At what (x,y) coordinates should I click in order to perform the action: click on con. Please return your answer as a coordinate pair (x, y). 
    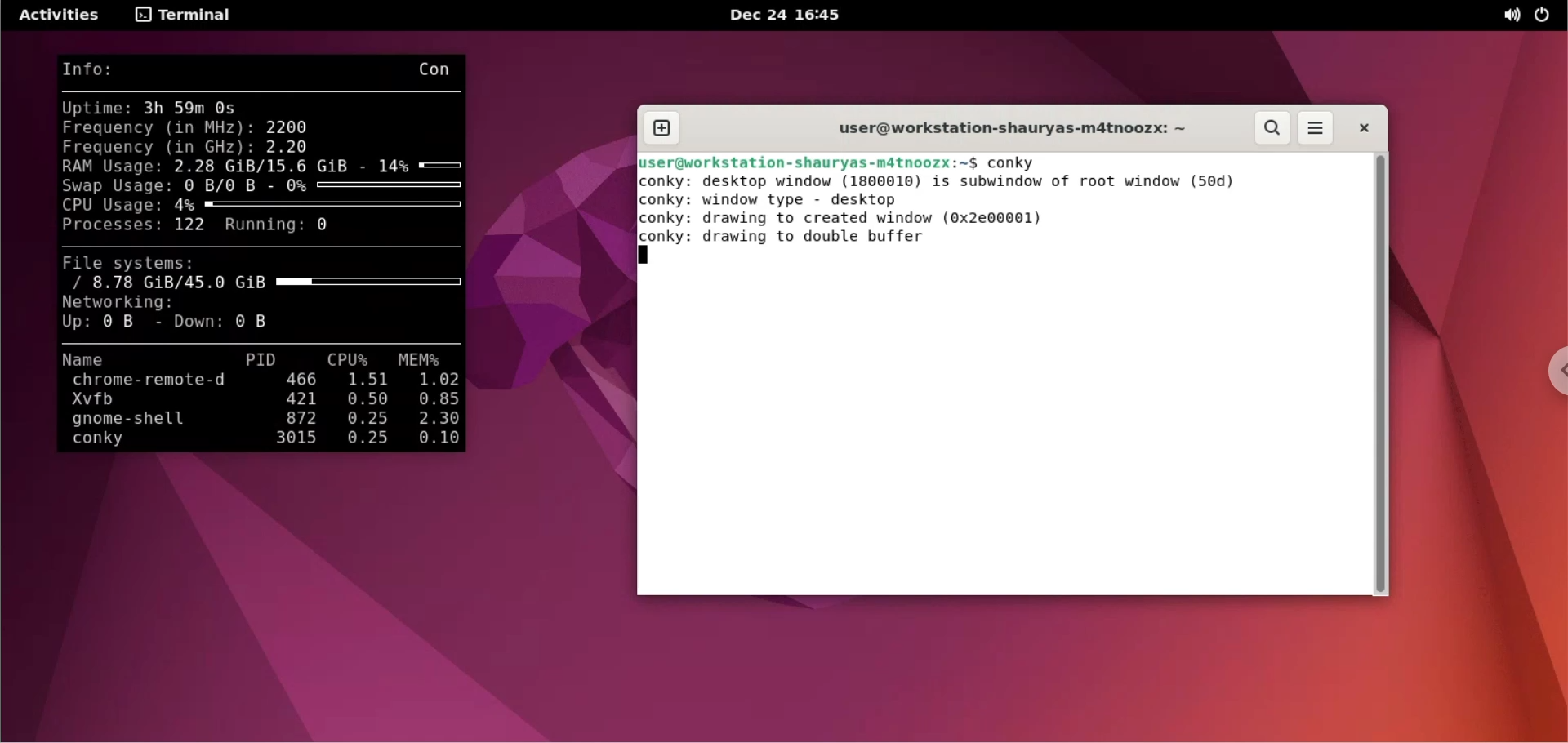
    Looking at the image, I should click on (439, 67).